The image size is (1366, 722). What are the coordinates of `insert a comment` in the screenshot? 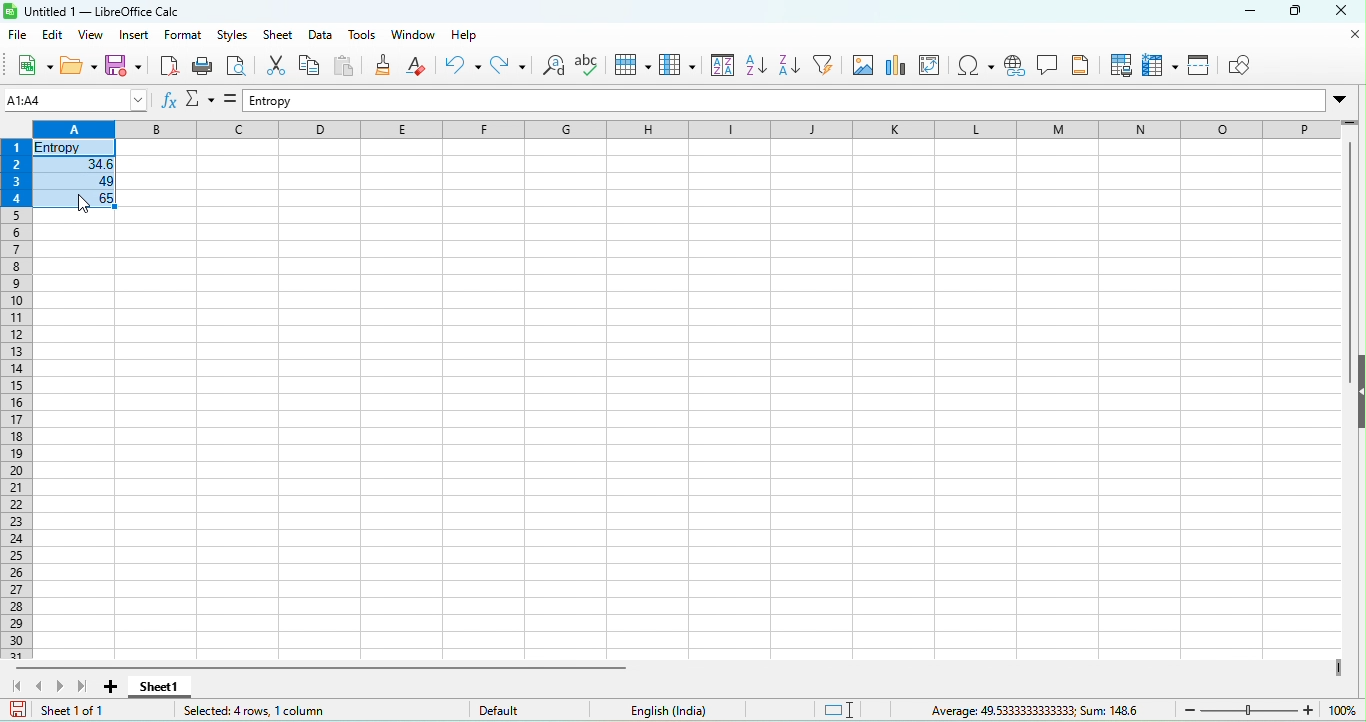 It's located at (1052, 67).